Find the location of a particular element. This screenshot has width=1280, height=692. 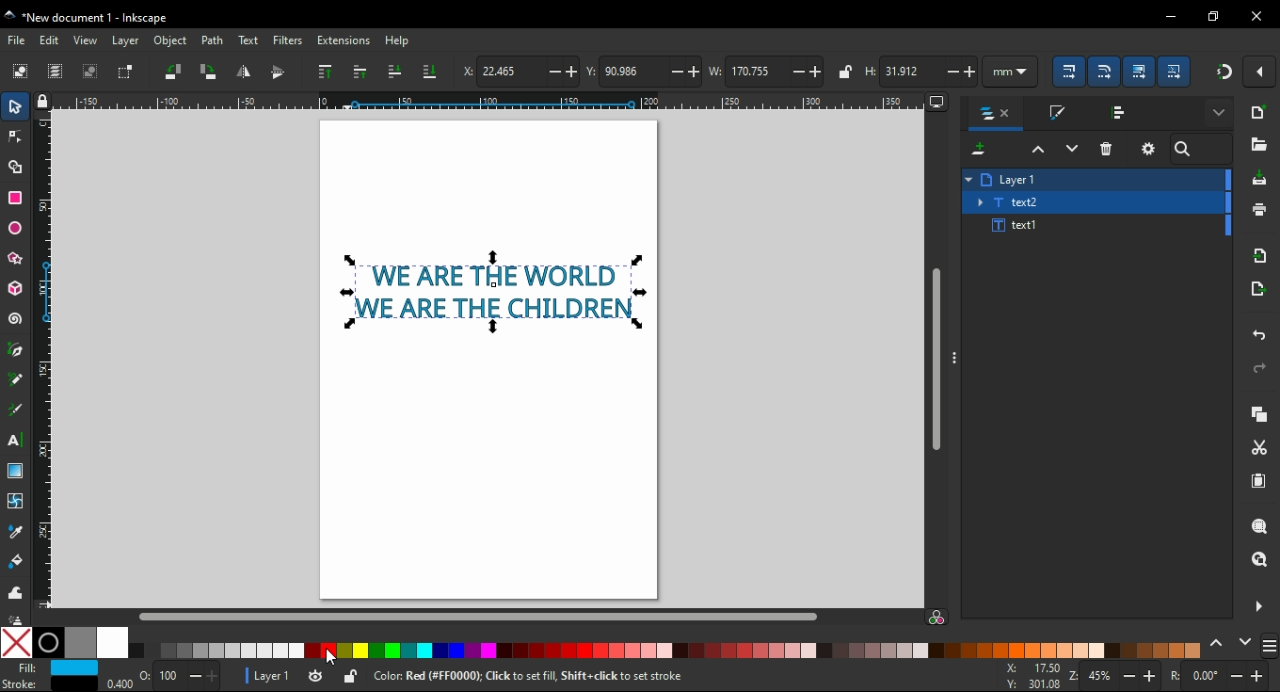

filters is located at coordinates (289, 41).